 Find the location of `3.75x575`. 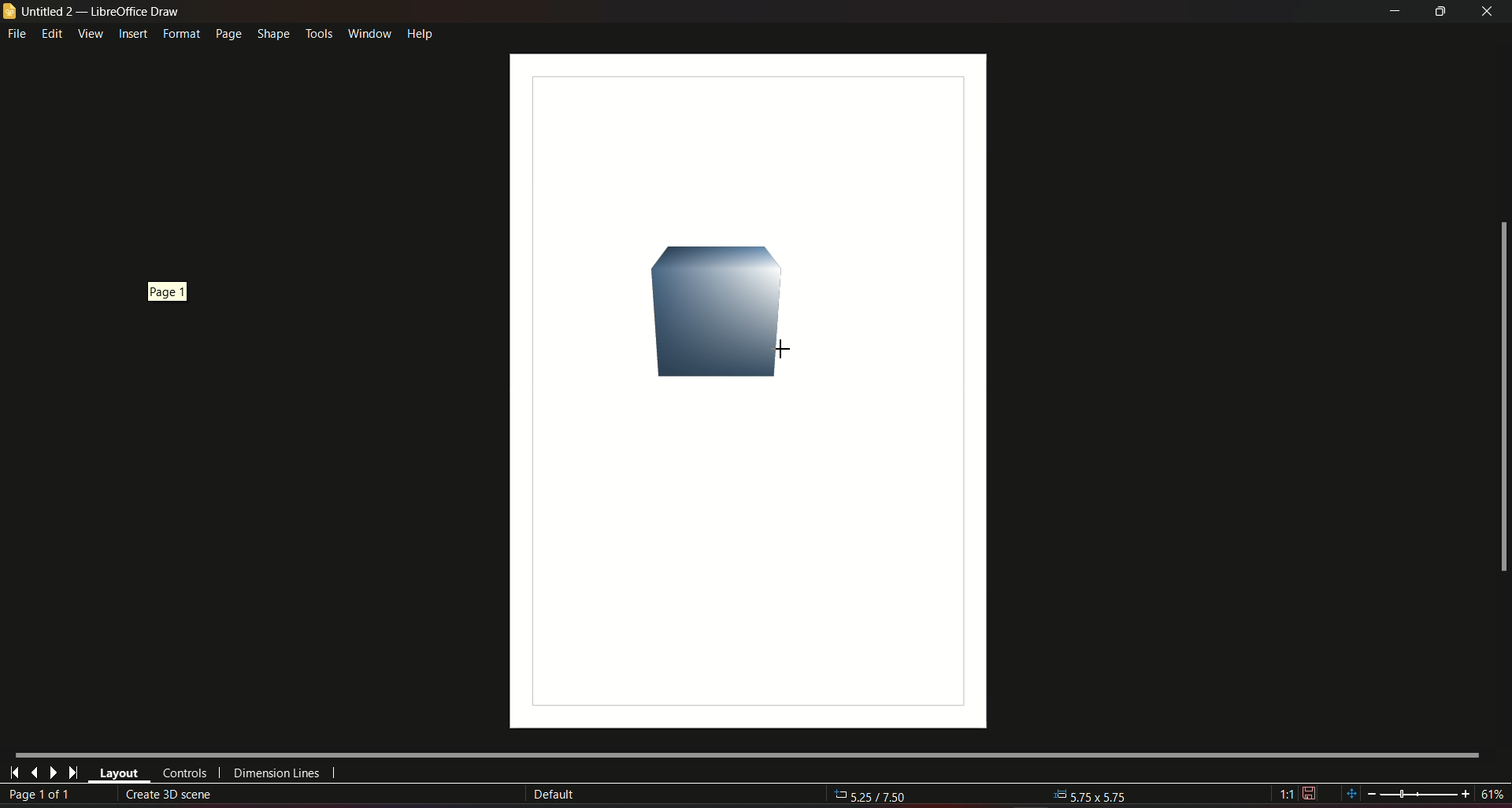

3.75x575 is located at coordinates (1091, 794).